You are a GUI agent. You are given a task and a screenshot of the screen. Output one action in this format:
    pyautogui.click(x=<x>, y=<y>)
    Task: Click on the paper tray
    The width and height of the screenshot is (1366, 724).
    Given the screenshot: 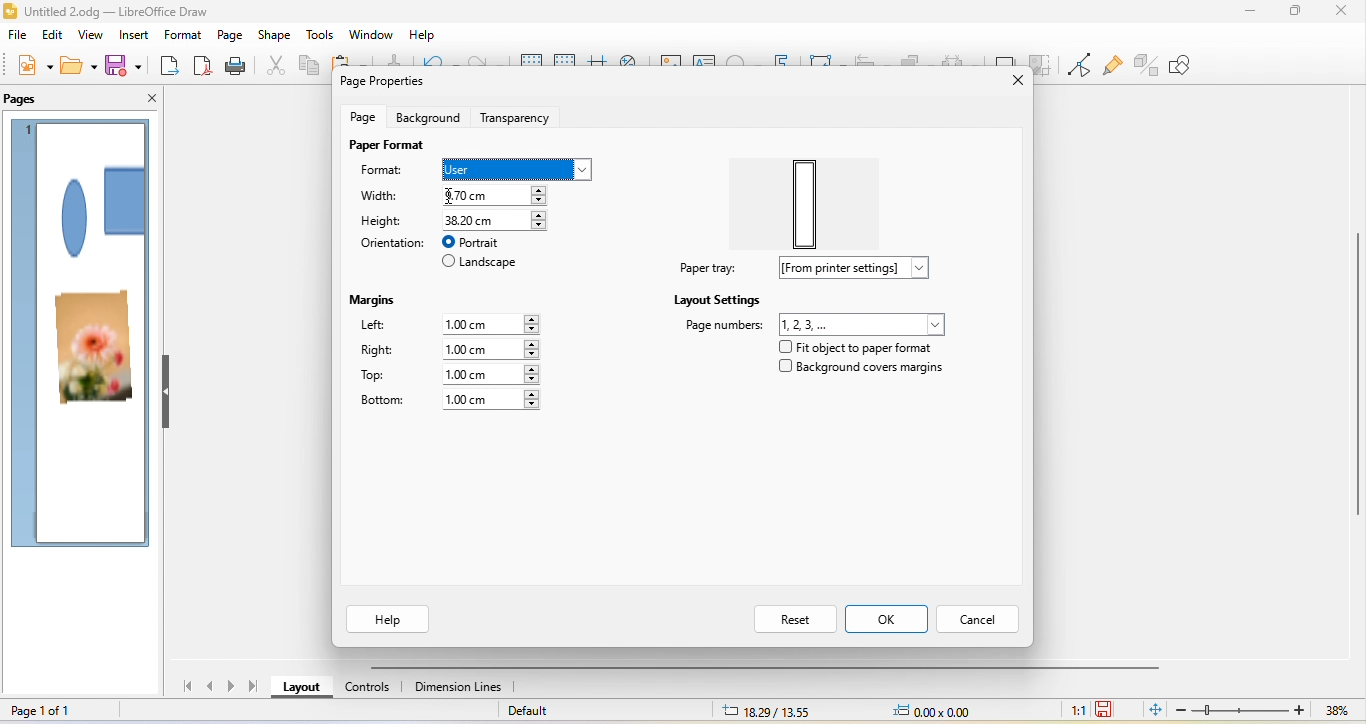 What is the action you would take?
    pyautogui.click(x=701, y=269)
    